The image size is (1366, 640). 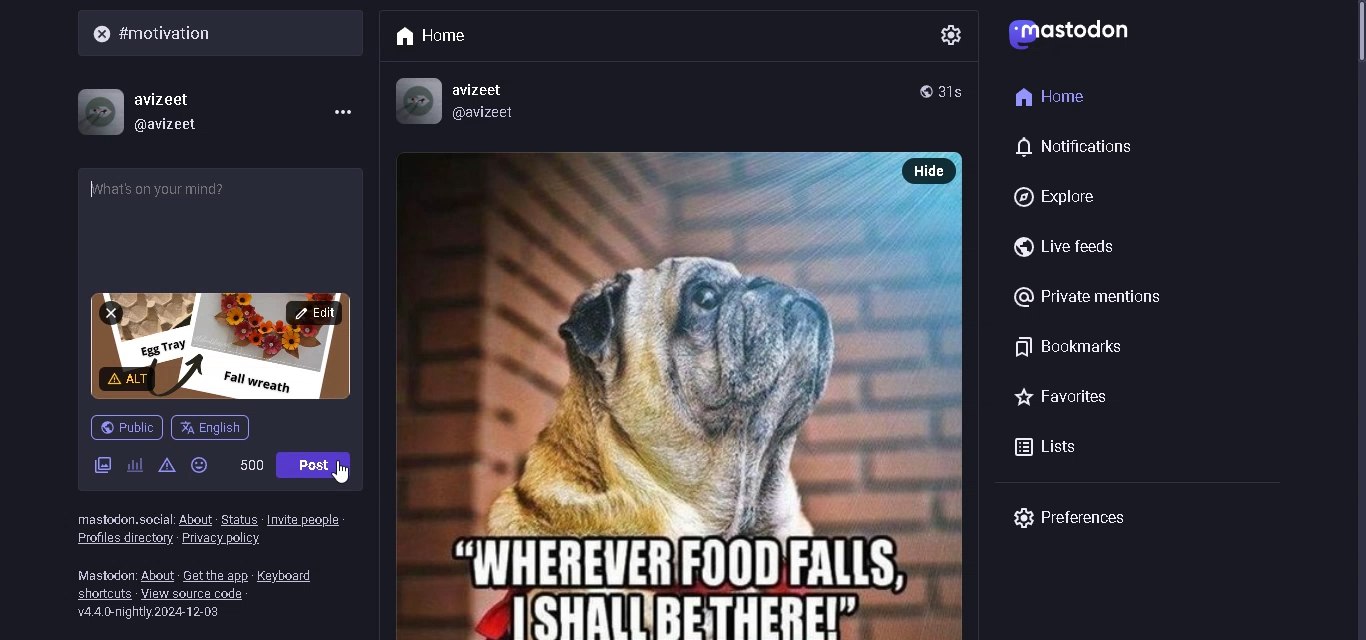 What do you see at coordinates (209, 328) in the screenshot?
I see `recent DIY craft picture` at bounding box center [209, 328].